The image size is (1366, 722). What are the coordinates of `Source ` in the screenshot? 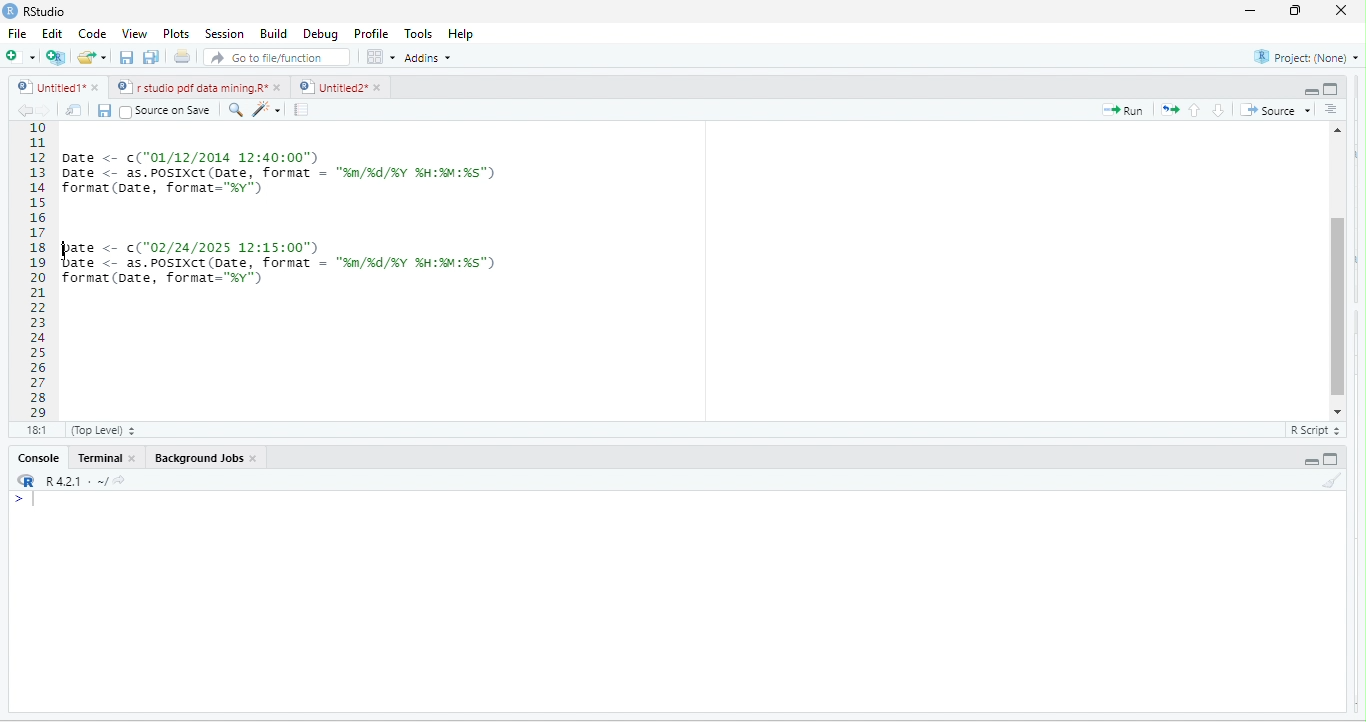 It's located at (1277, 110).